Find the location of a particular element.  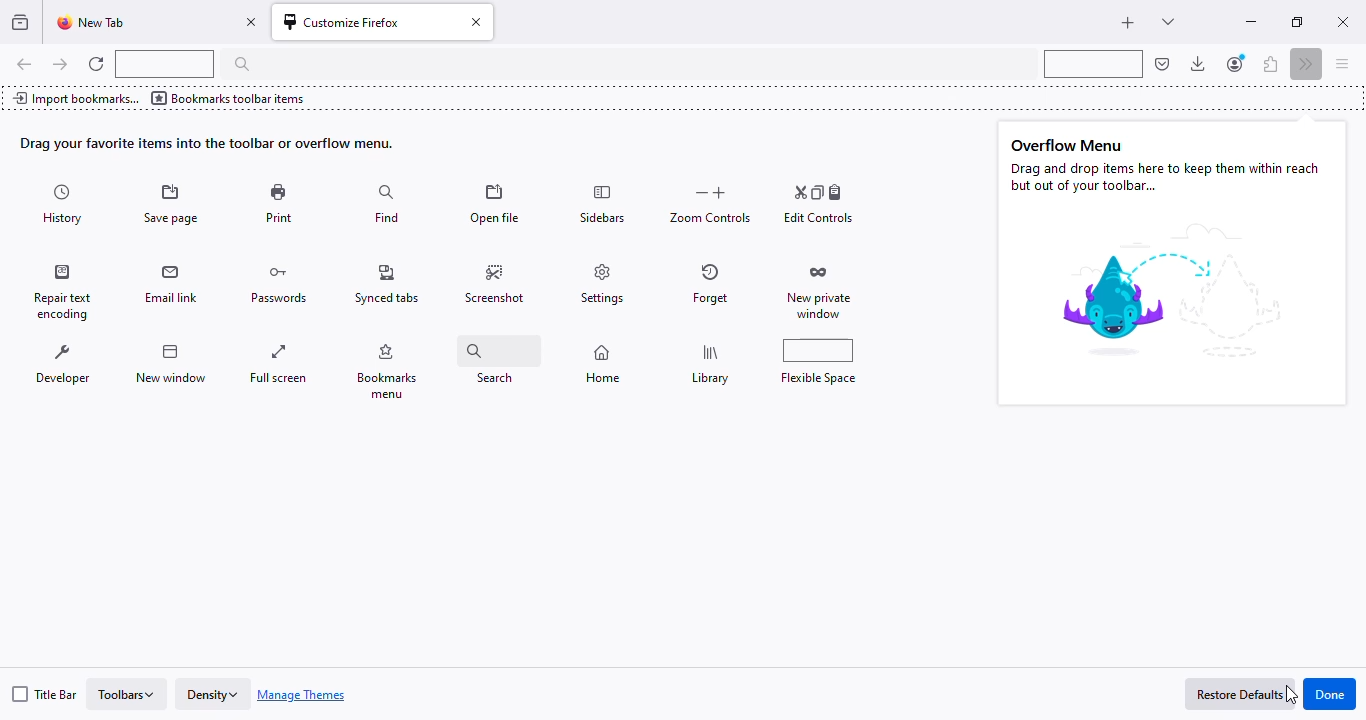

bookmarks menu is located at coordinates (387, 371).